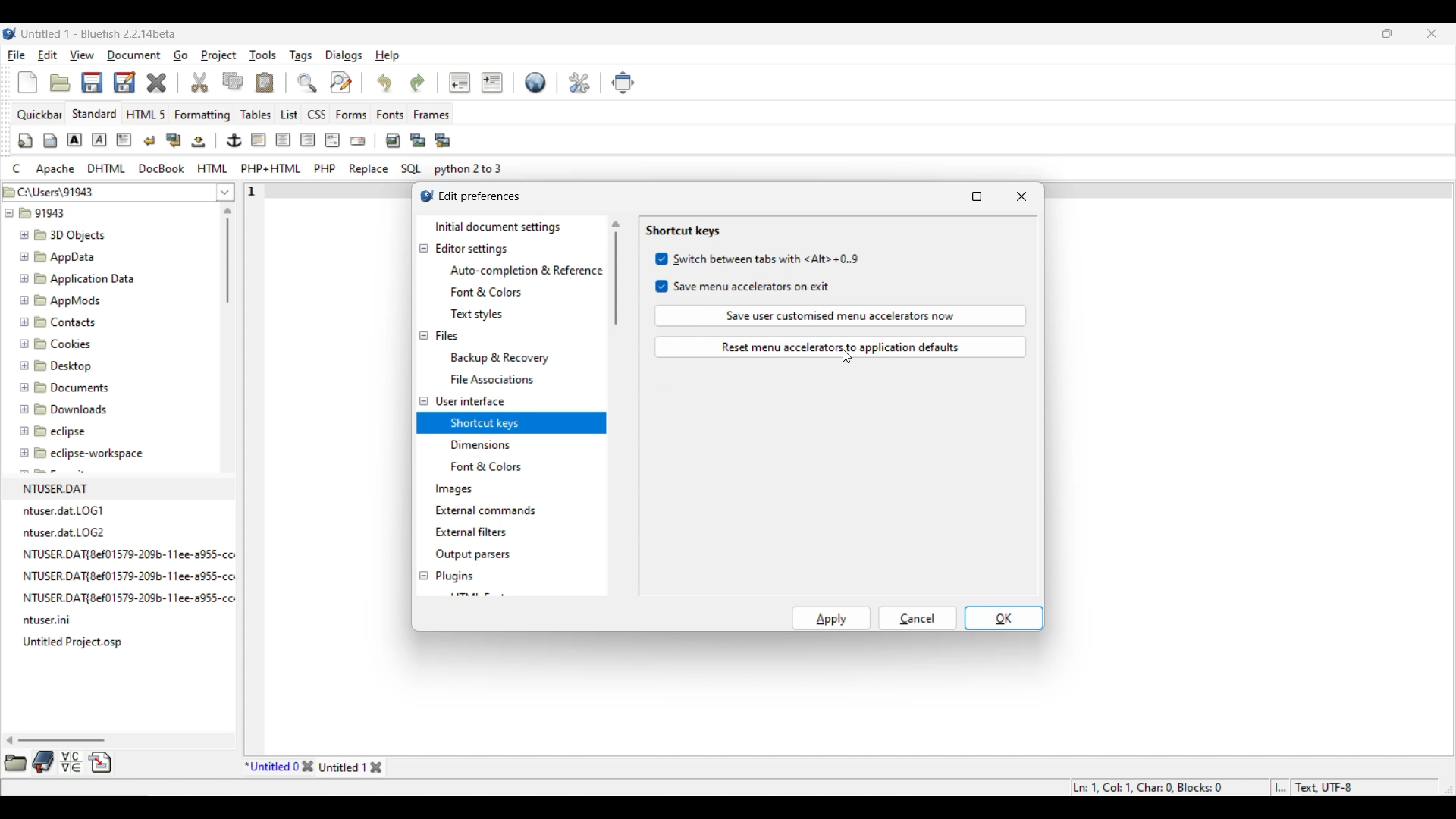 The height and width of the screenshot is (819, 1456). I want to click on logo, so click(423, 198).